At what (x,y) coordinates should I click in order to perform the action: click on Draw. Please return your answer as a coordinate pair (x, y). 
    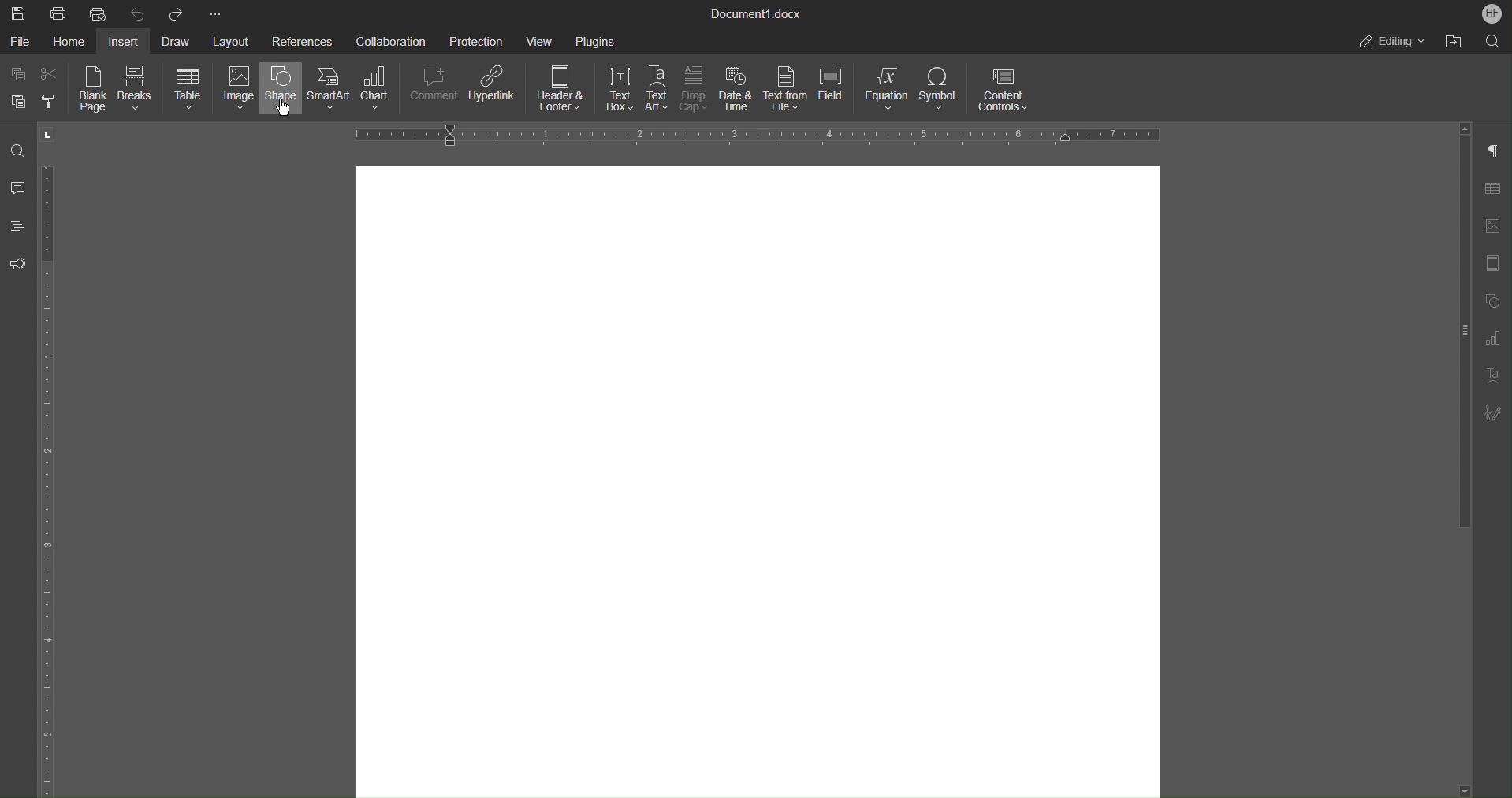
    Looking at the image, I should click on (180, 40).